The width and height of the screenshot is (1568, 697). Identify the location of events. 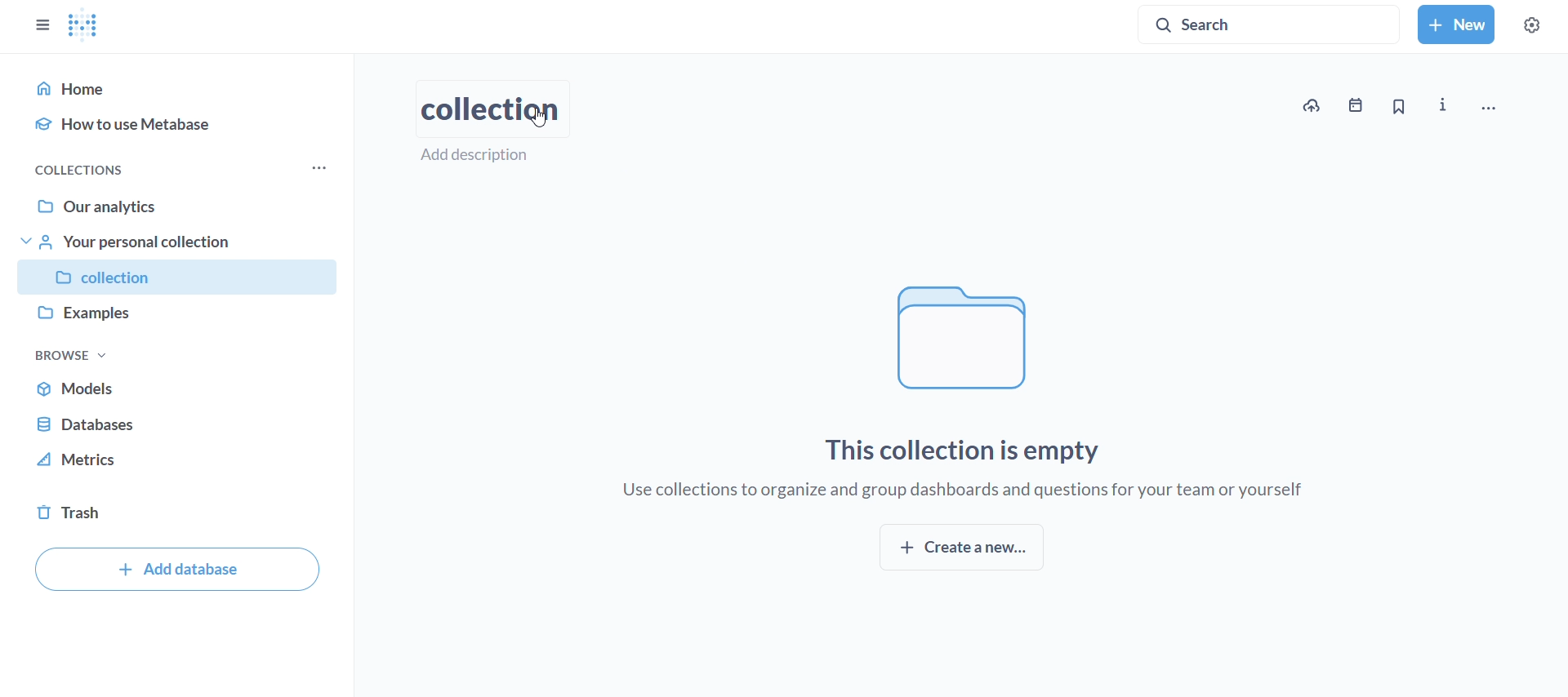
(1359, 105).